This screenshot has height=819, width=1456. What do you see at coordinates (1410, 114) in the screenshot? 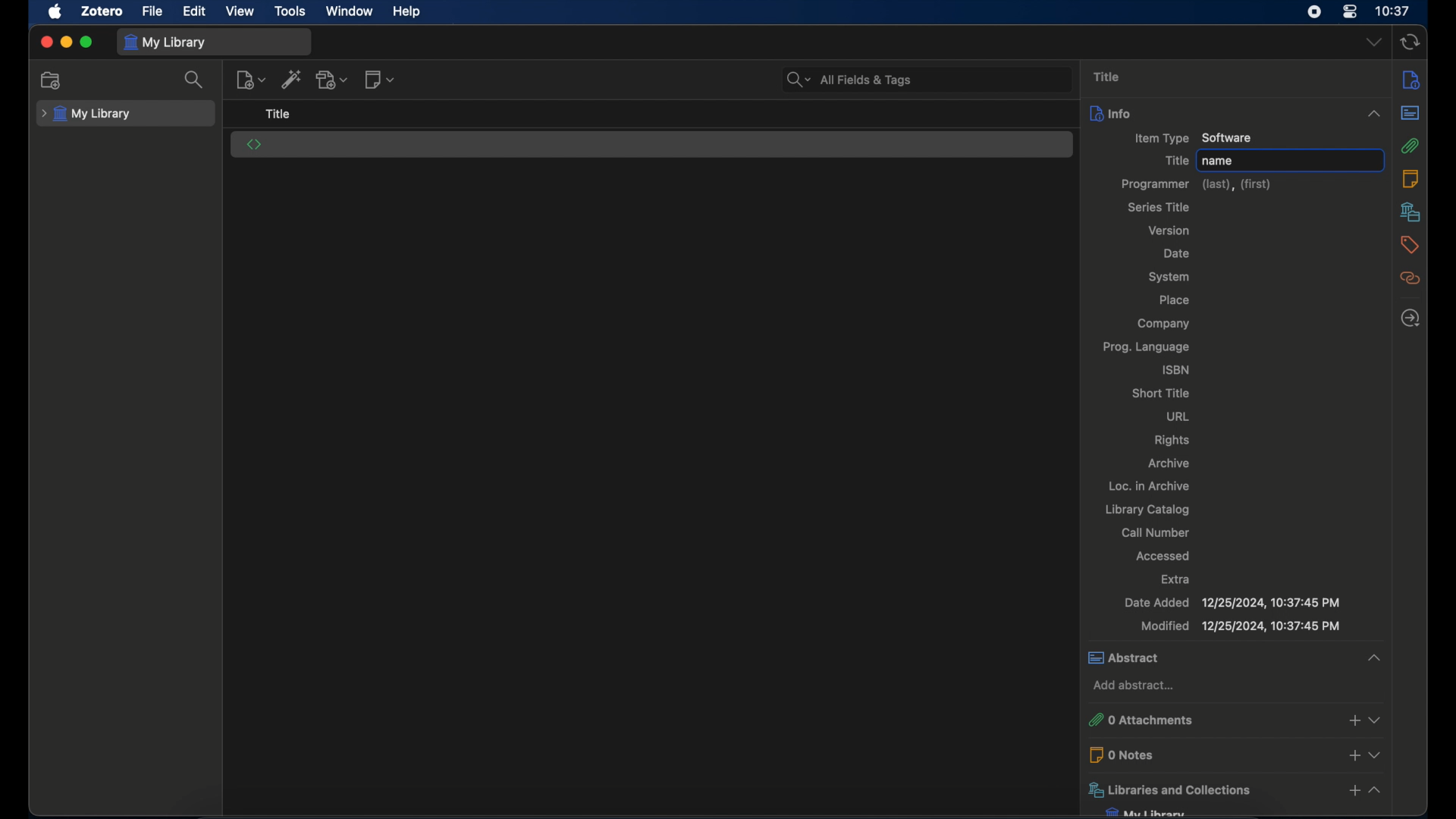
I see `abstract` at bounding box center [1410, 114].